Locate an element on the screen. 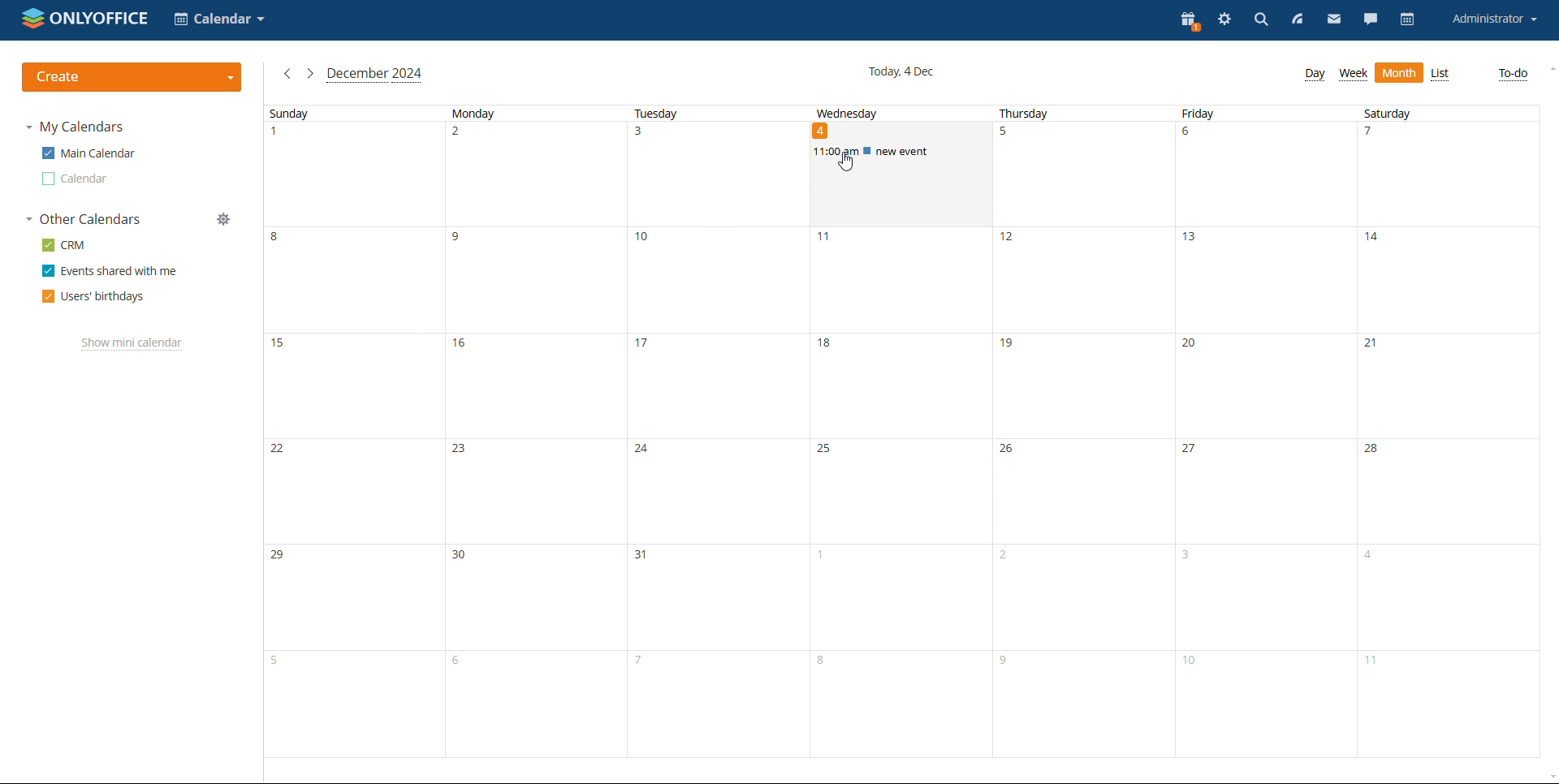 This screenshot has height=784, width=1559. previous month is located at coordinates (286, 74).